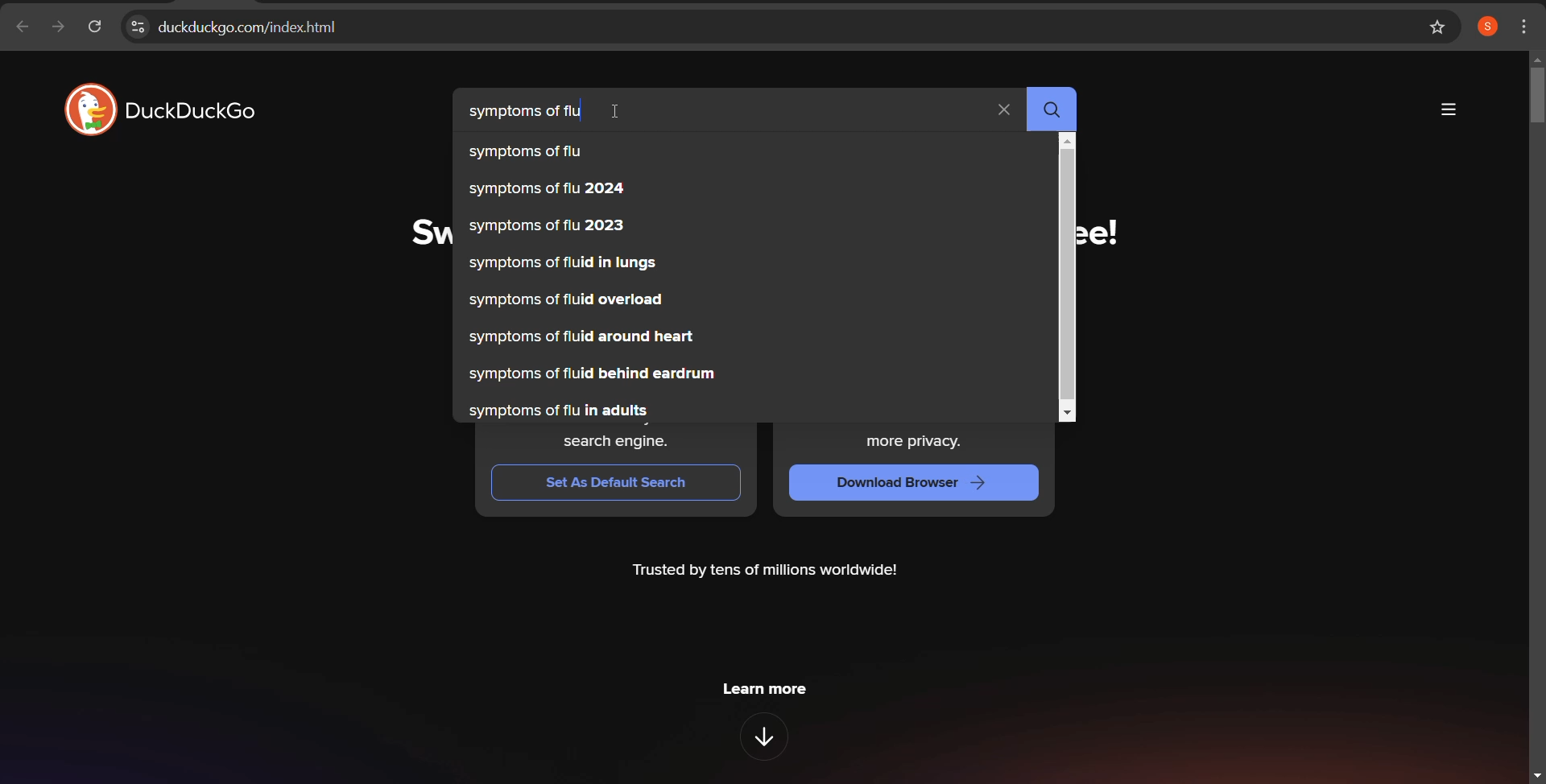 The width and height of the screenshot is (1546, 784). Describe the element at coordinates (917, 441) in the screenshot. I see `more privacy` at that location.